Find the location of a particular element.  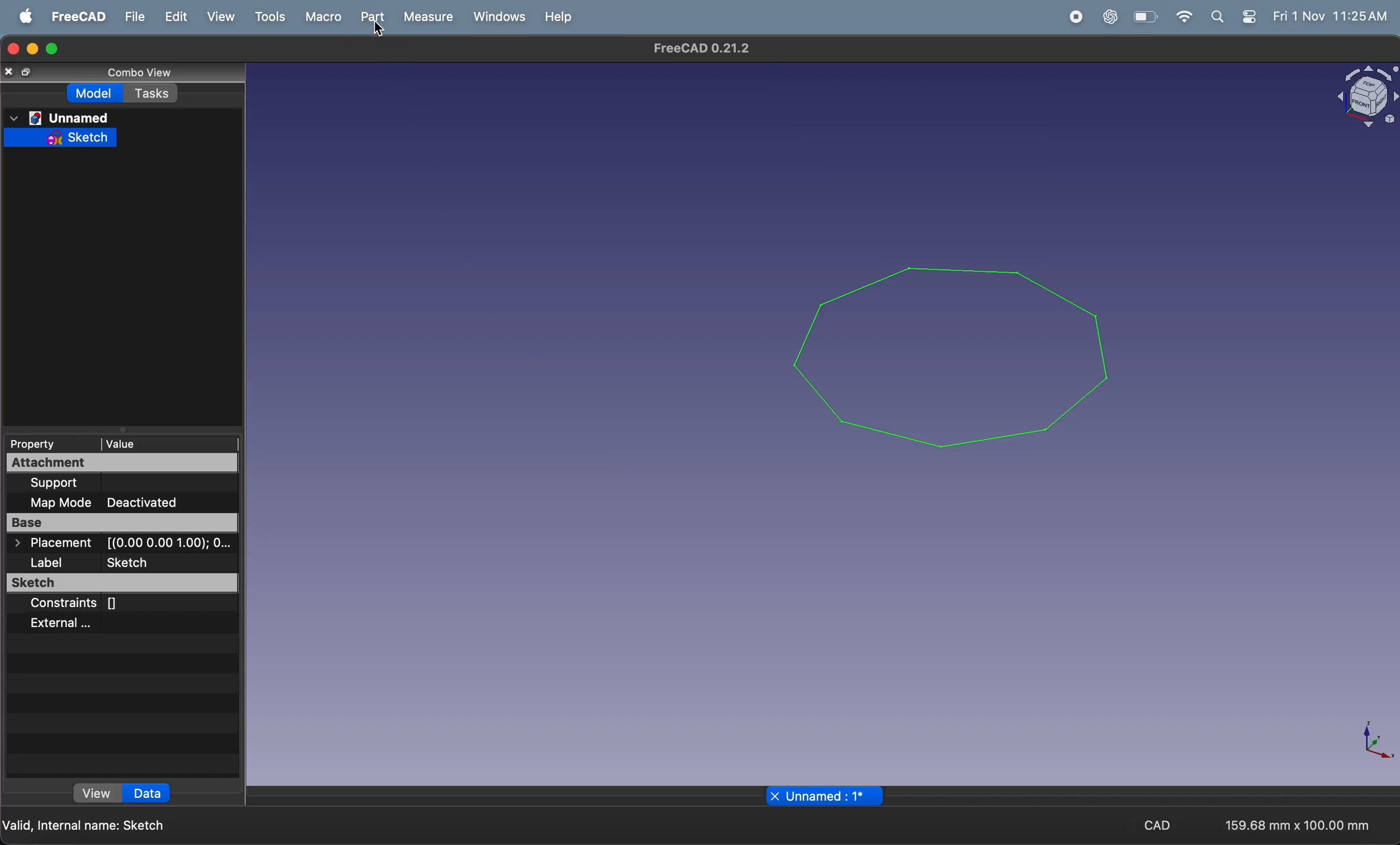

support is located at coordinates (107, 484).